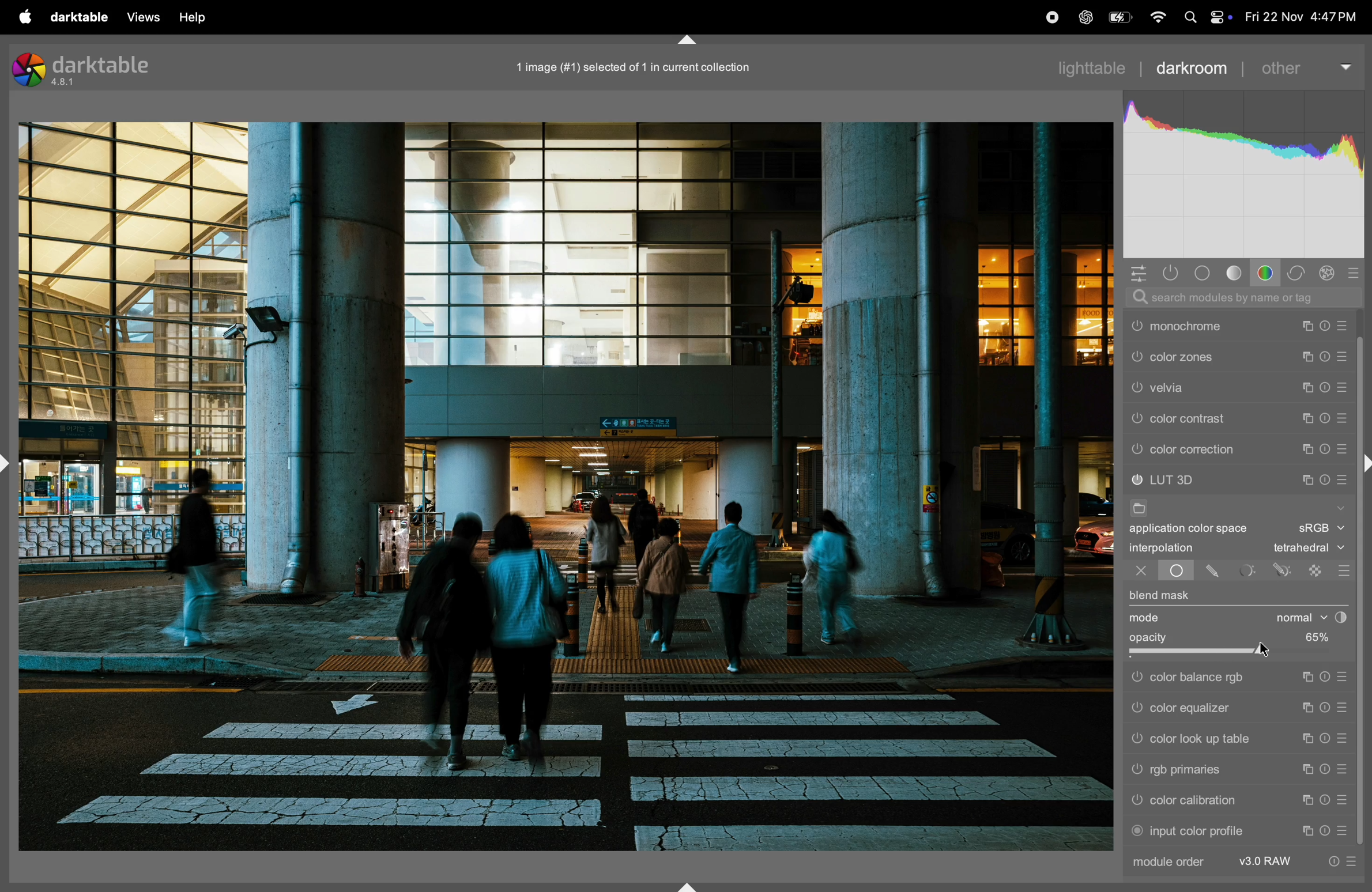  Describe the element at coordinates (1137, 480) in the screenshot. I see `LUT 3D switched off` at that location.